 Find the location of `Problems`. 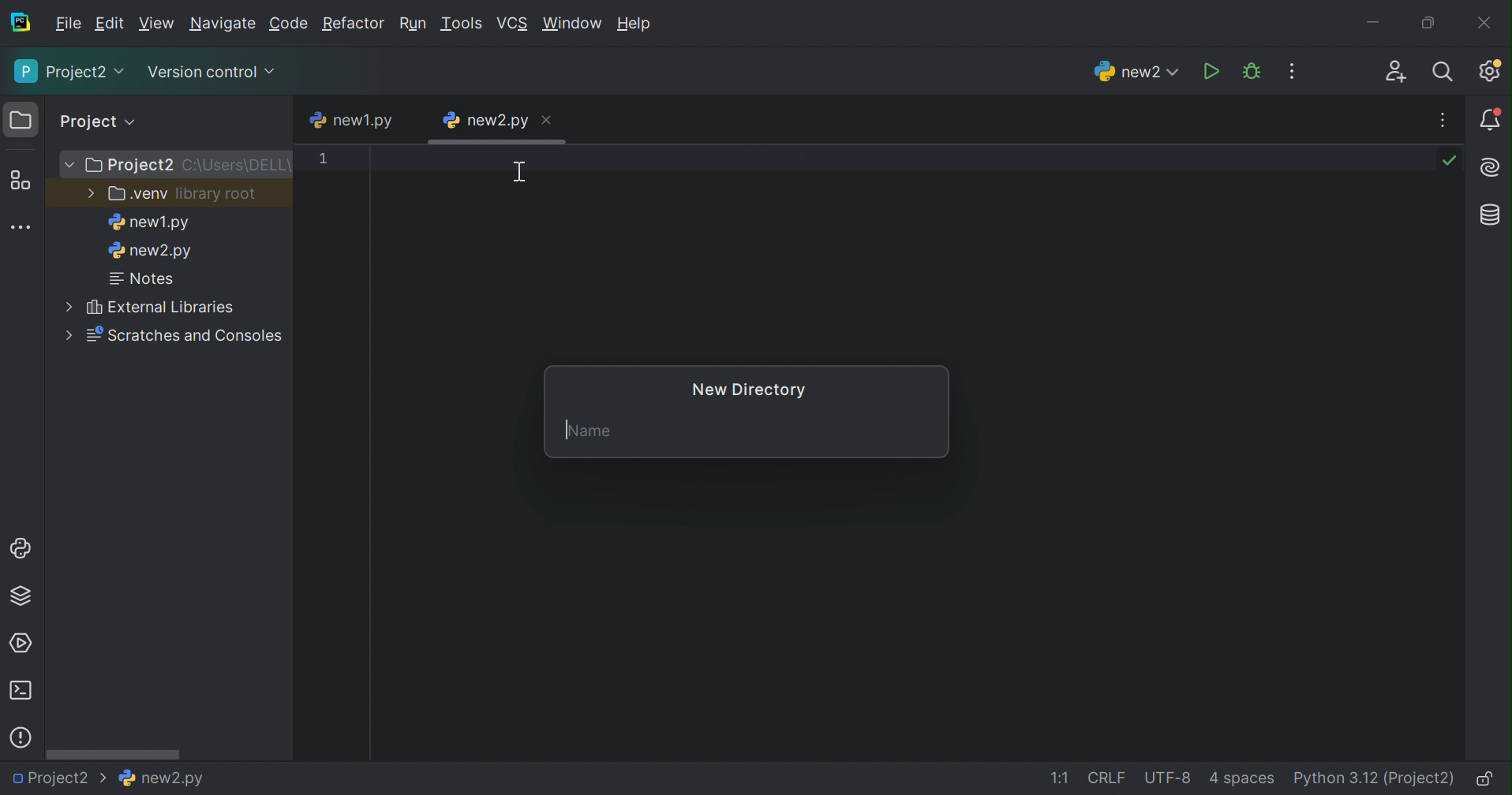

Problems is located at coordinates (21, 738).